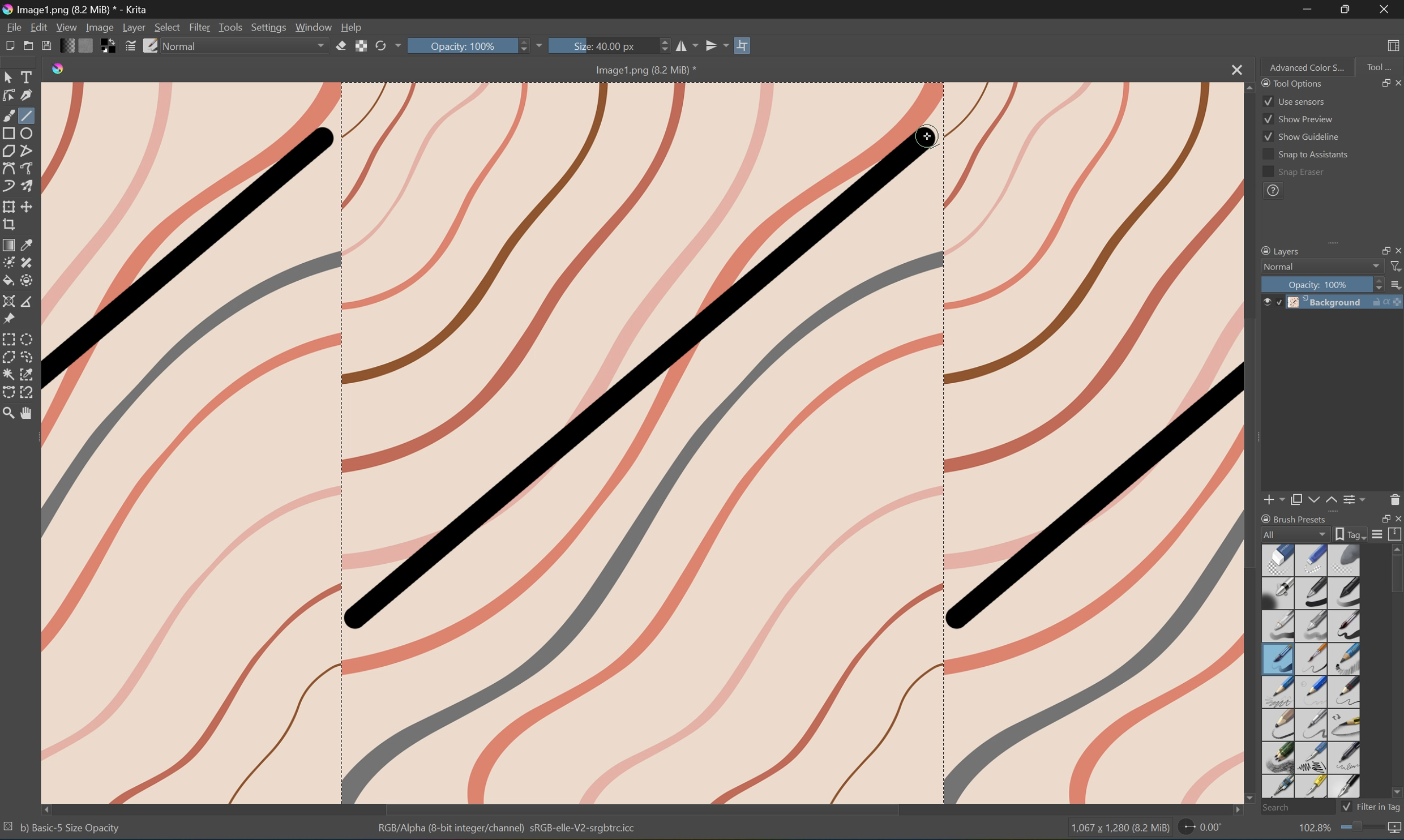 This screenshot has width=1404, height=840. I want to click on Storage resources, so click(1396, 534).